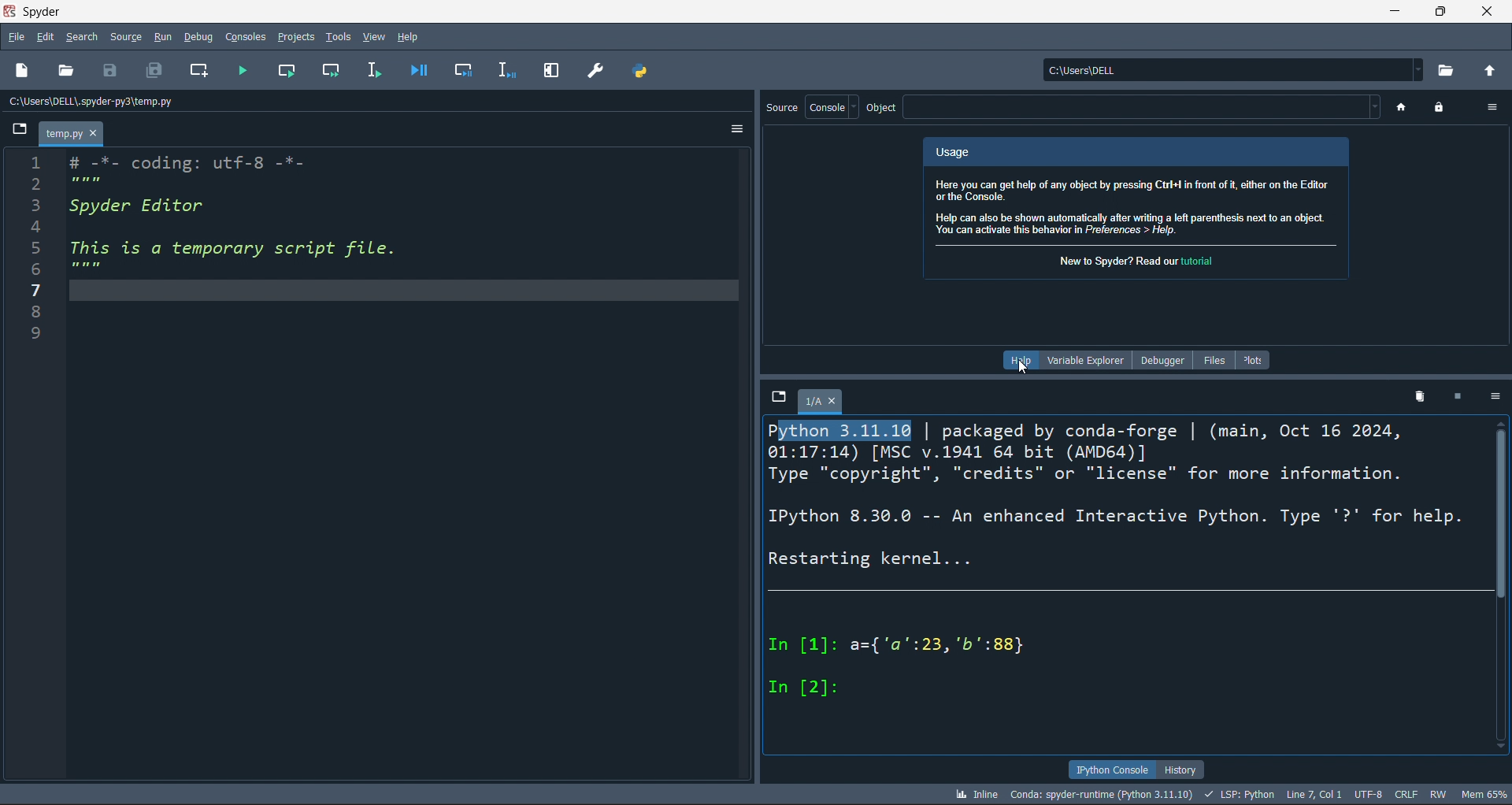  Describe the element at coordinates (1157, 360) in the screenshot. I see `debugger` at that location.